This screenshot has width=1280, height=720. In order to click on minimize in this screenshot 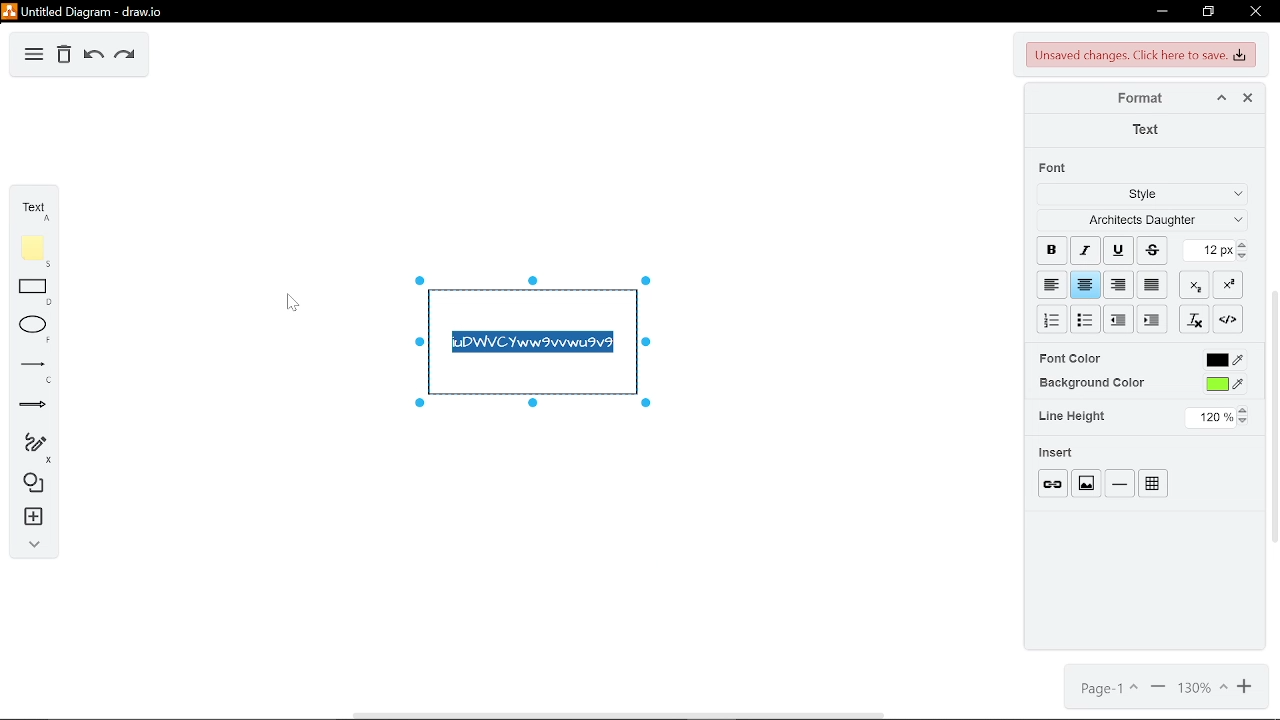, I will do `click(1162, 13)`.